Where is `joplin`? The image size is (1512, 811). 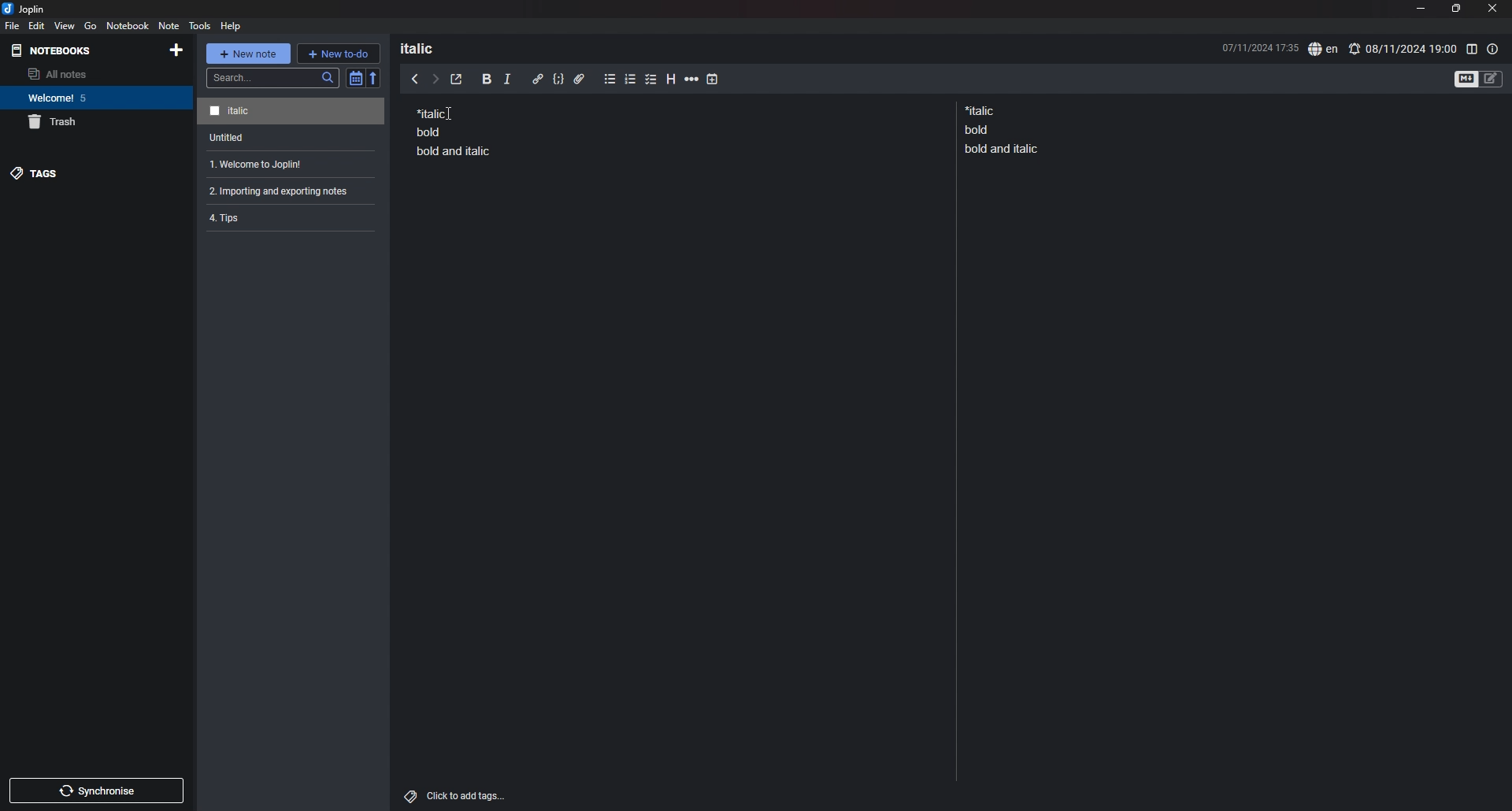 joplin is located at coordinates (24, 9).